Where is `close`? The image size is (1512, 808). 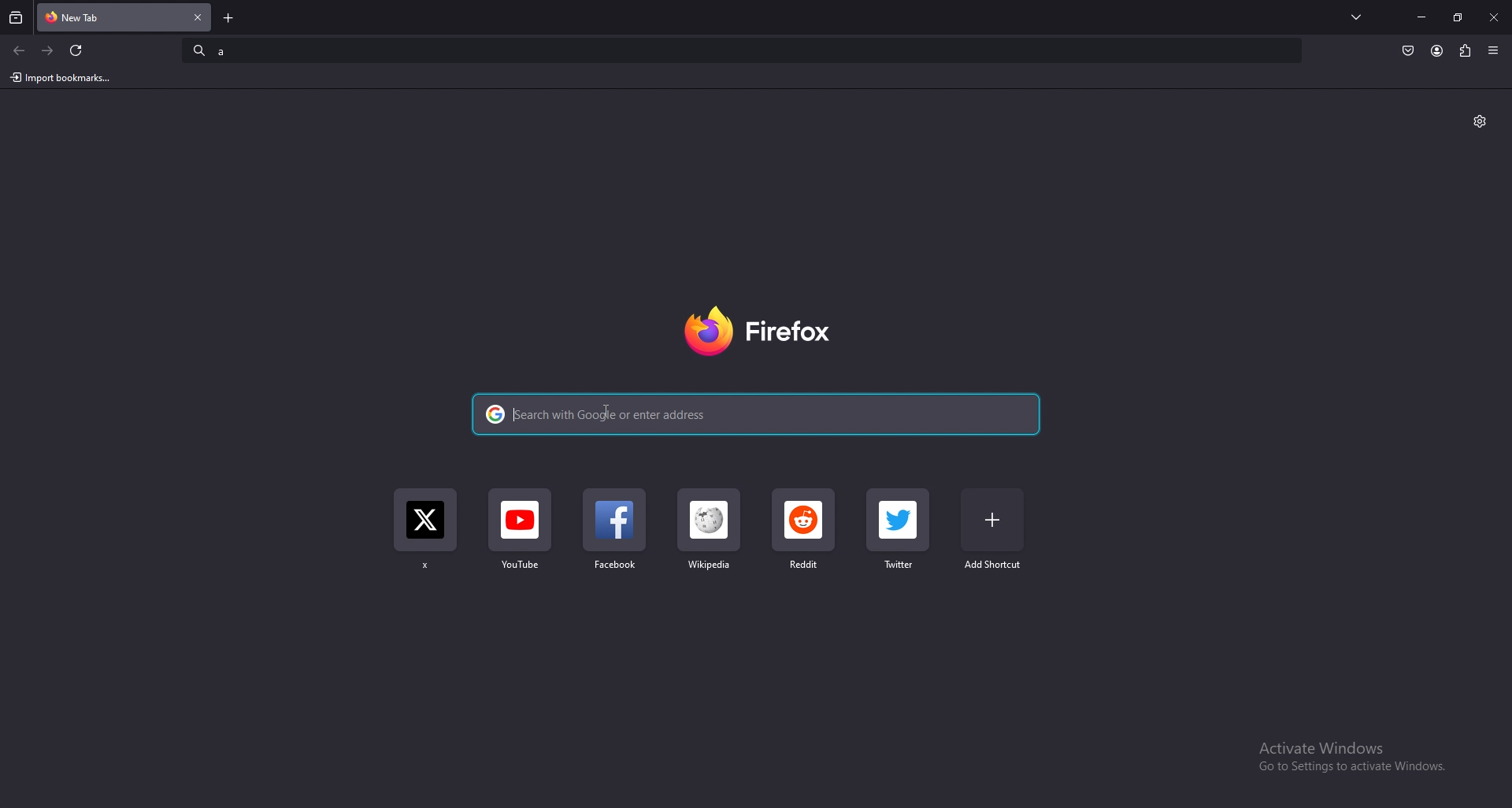 close is located at coordinates (1493, 19).